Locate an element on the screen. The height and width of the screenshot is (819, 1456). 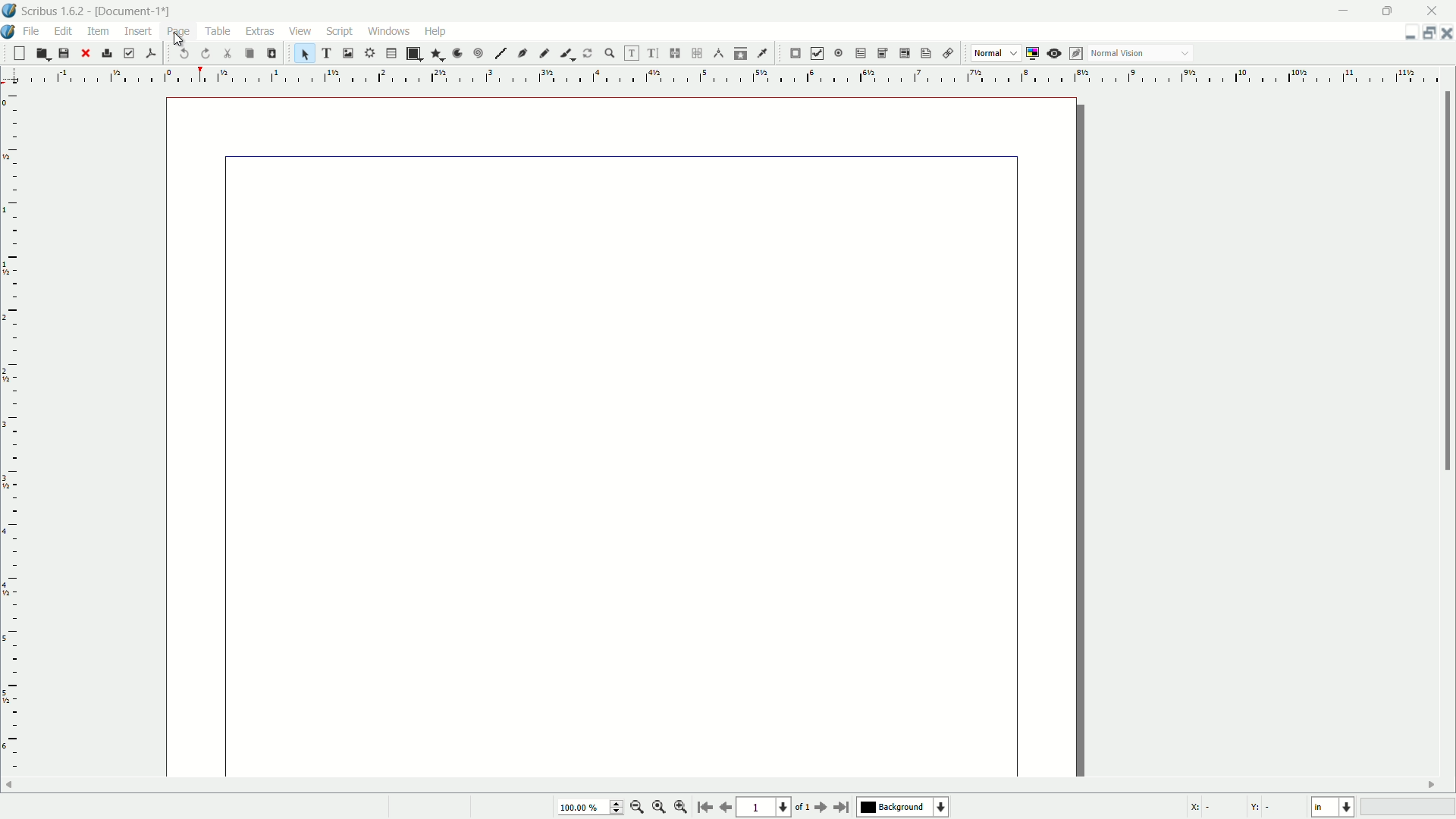
redo is located at coordinates (207, 53).